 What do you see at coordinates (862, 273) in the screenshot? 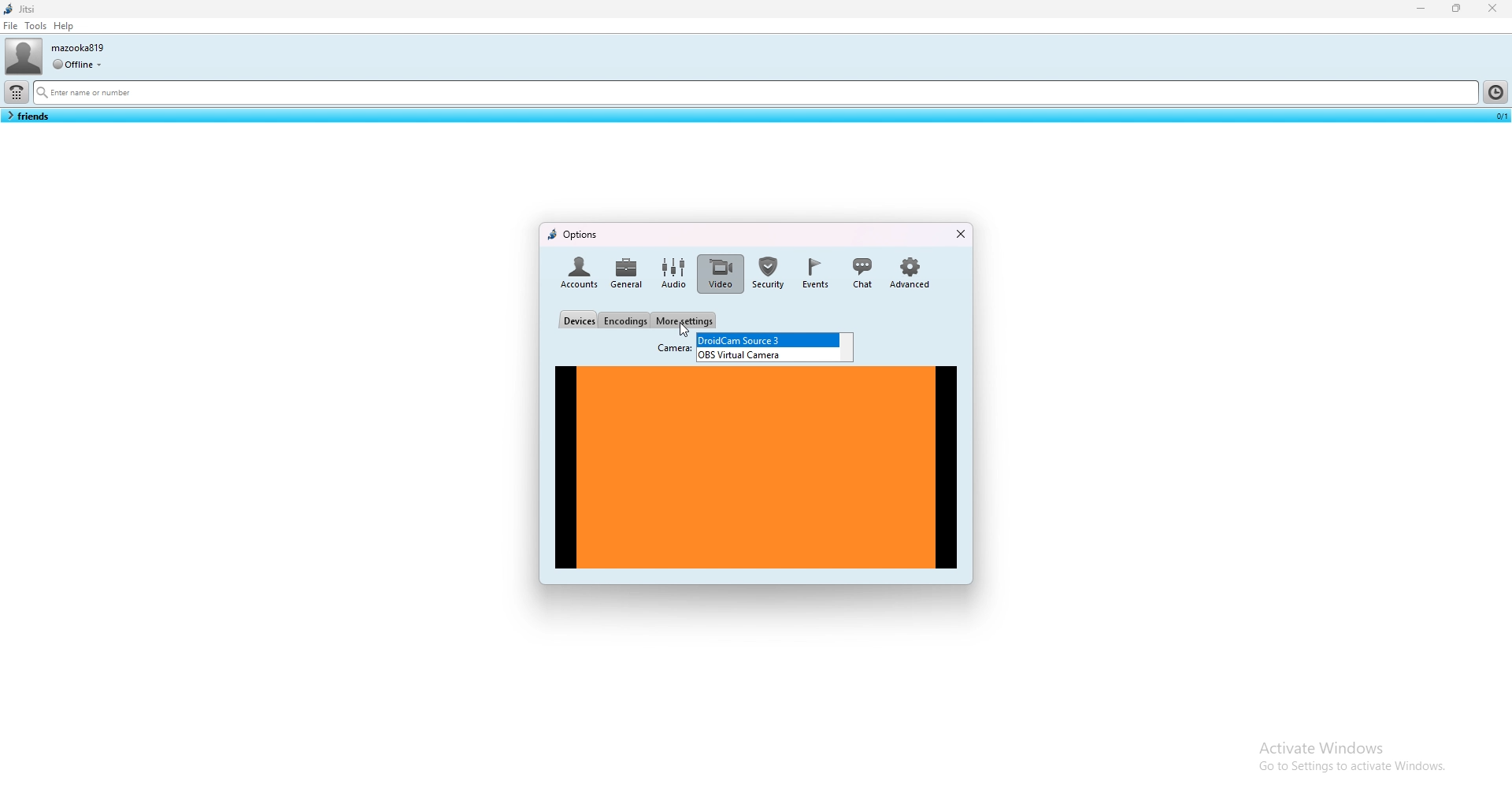
I see `chat` at bounding box center [862, 273].